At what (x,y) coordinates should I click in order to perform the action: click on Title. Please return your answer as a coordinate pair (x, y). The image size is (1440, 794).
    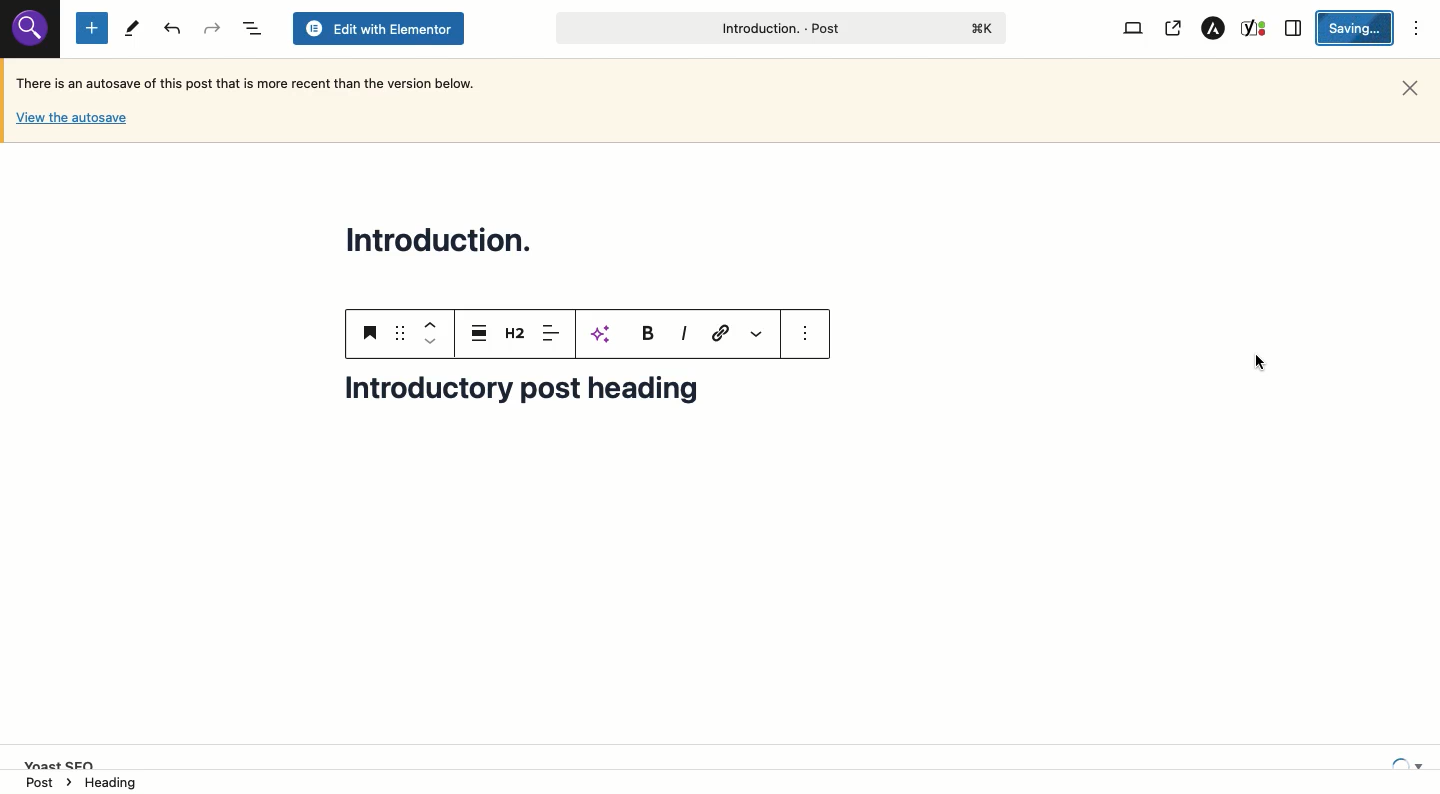
    Looking at the image, I should click on (444, 238).